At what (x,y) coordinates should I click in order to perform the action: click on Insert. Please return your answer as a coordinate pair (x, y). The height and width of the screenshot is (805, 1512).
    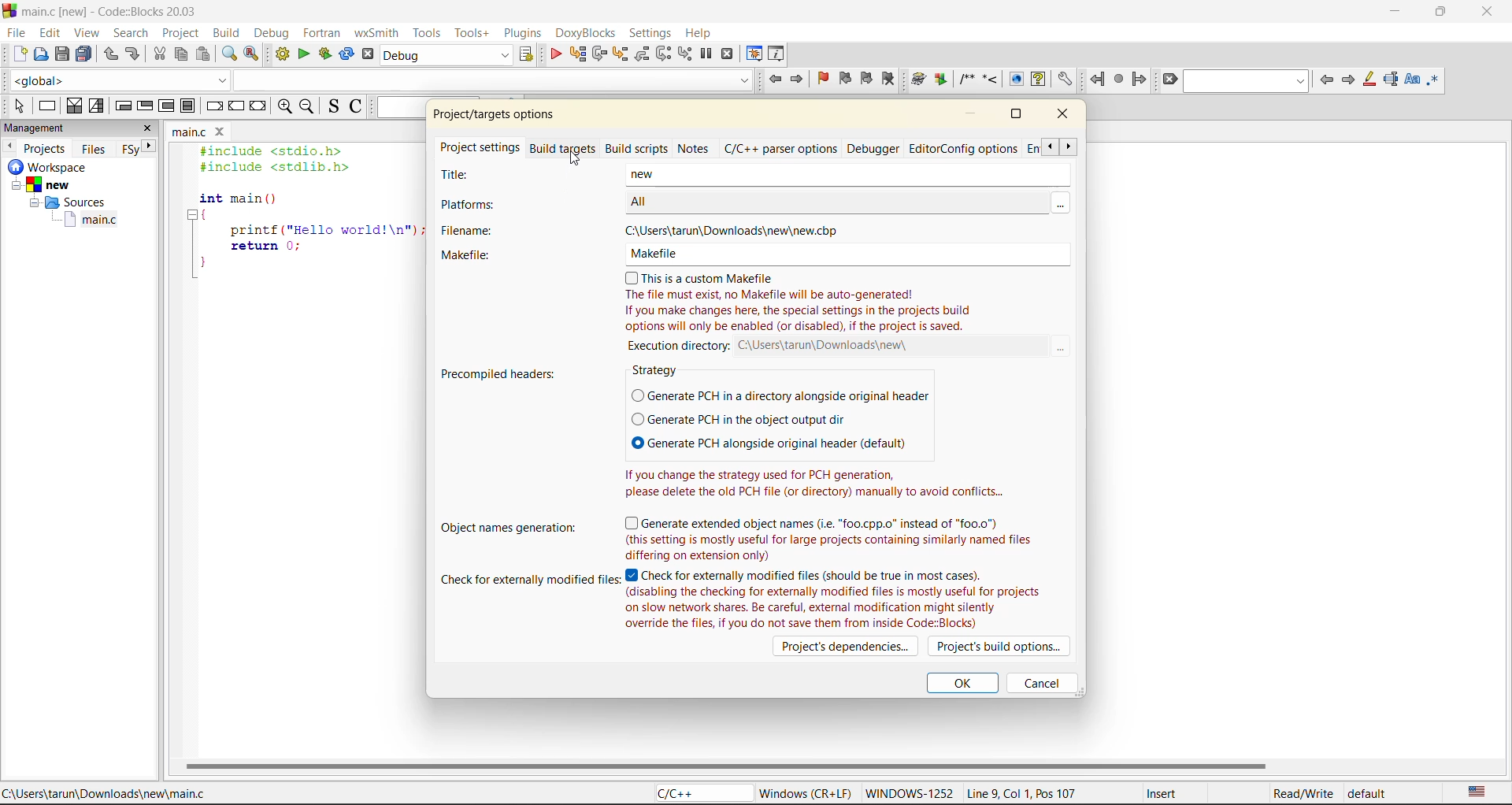
    Looking at the image, I should click on (1161, 793).